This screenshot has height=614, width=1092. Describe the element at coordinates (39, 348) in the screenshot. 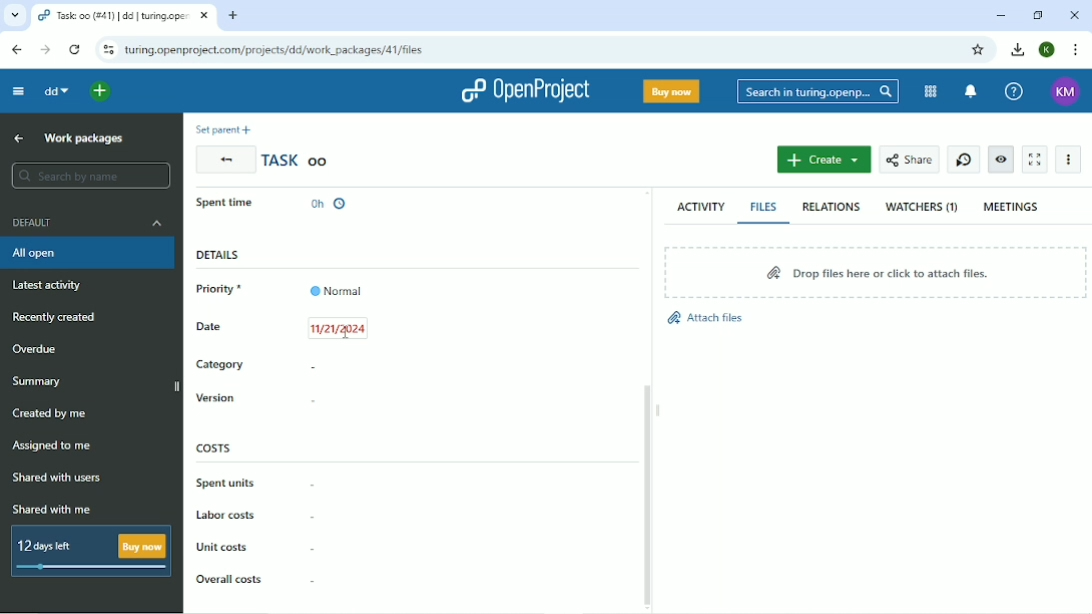

I see `Overdue` at that location.